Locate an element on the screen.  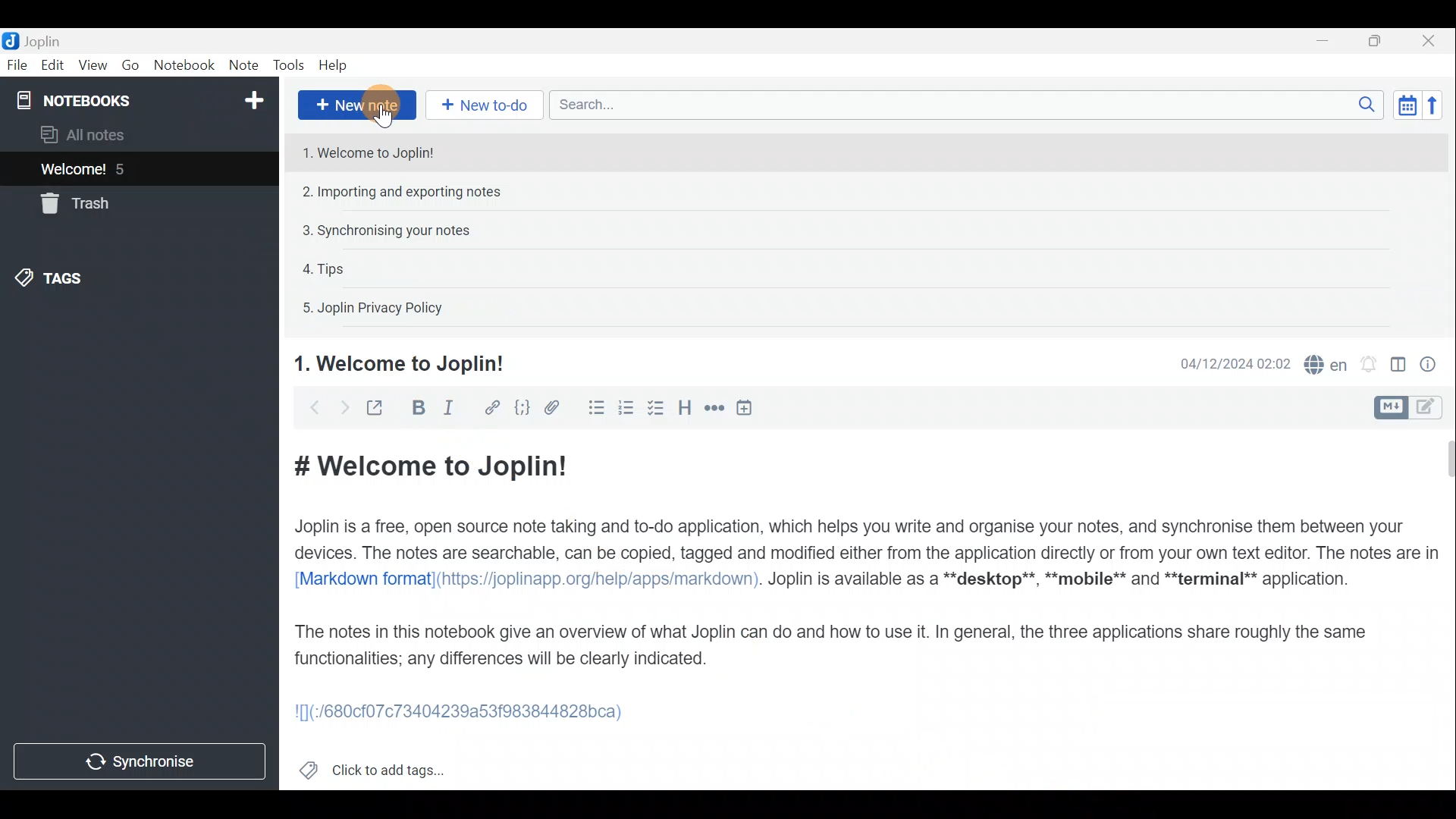
Toggle editors is located at coordinates (1429, 409).